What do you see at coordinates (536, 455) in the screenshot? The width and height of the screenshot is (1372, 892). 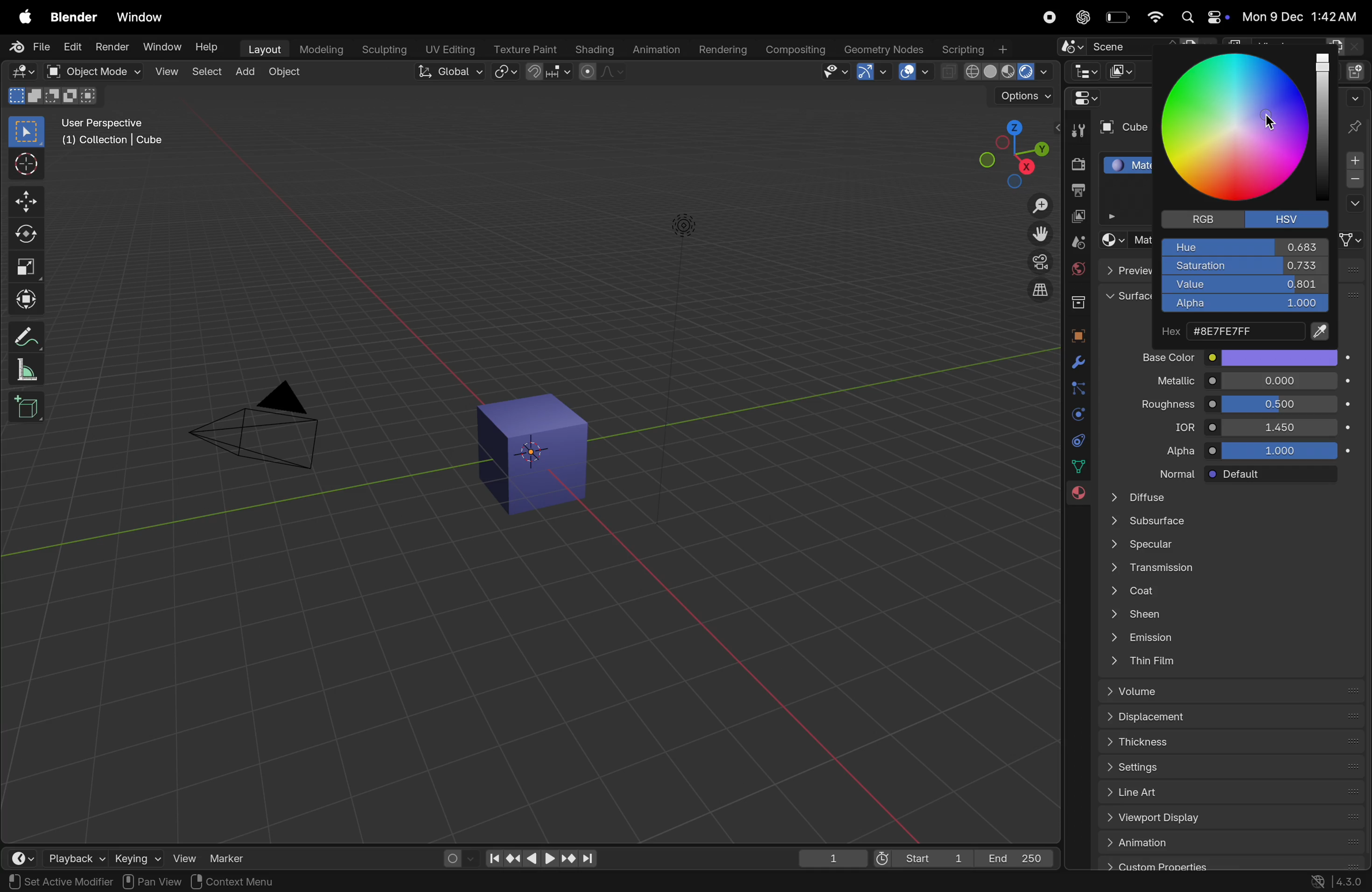 I see `cube` at bounding box center [536, 455].